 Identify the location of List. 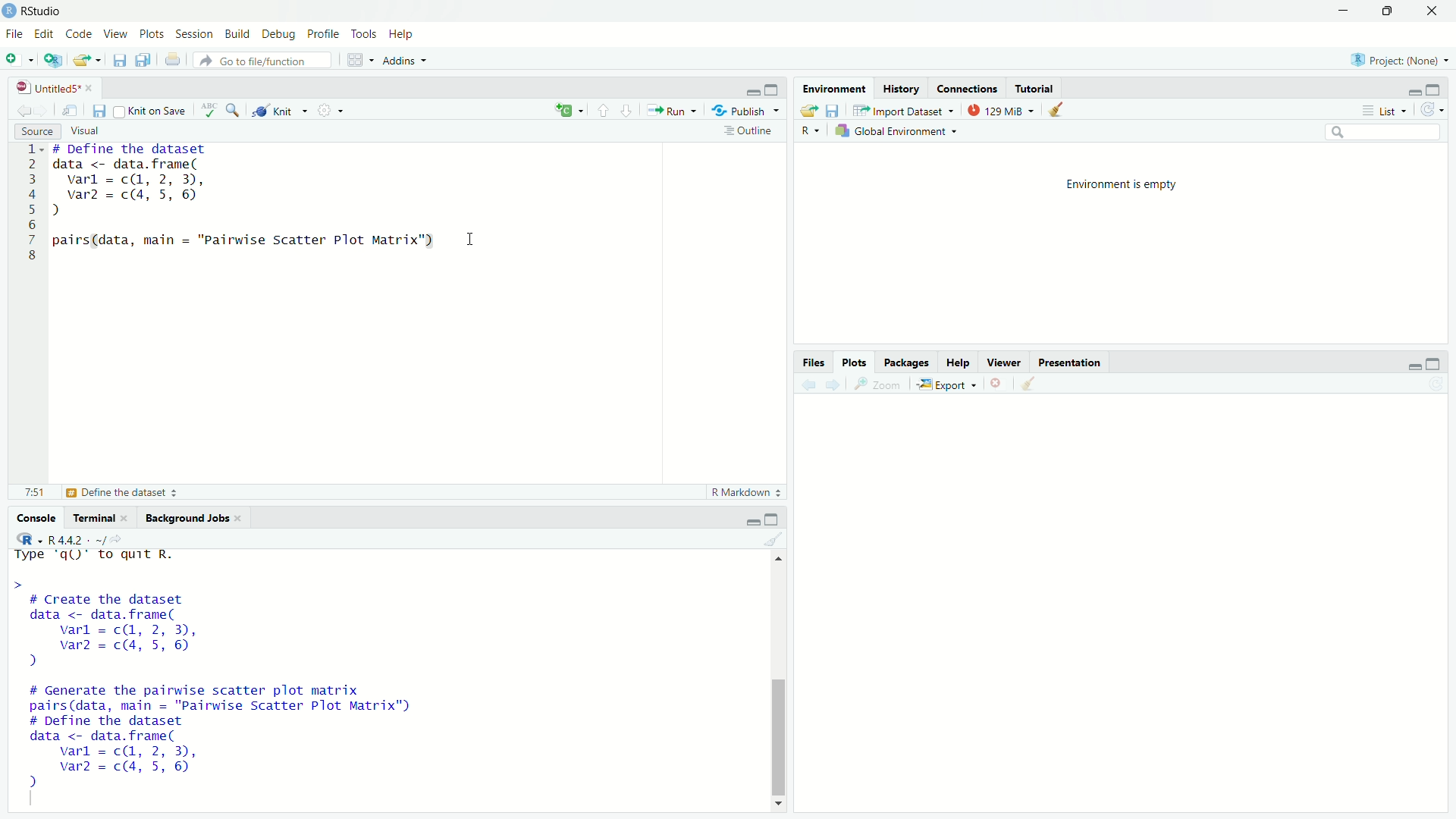
(1385, 110).